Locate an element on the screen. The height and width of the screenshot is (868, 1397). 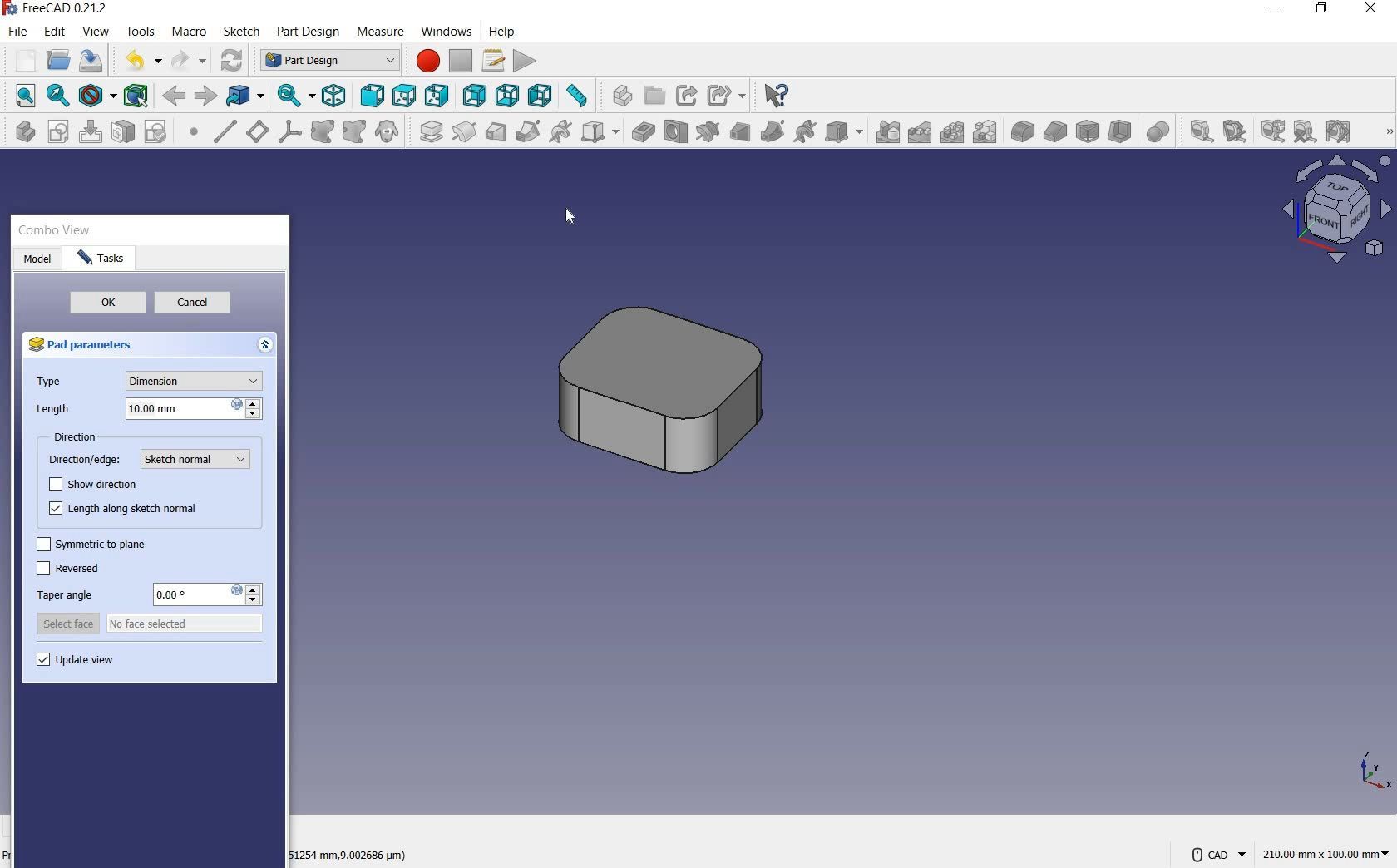
additive helix is located at coordinates (560, 131).